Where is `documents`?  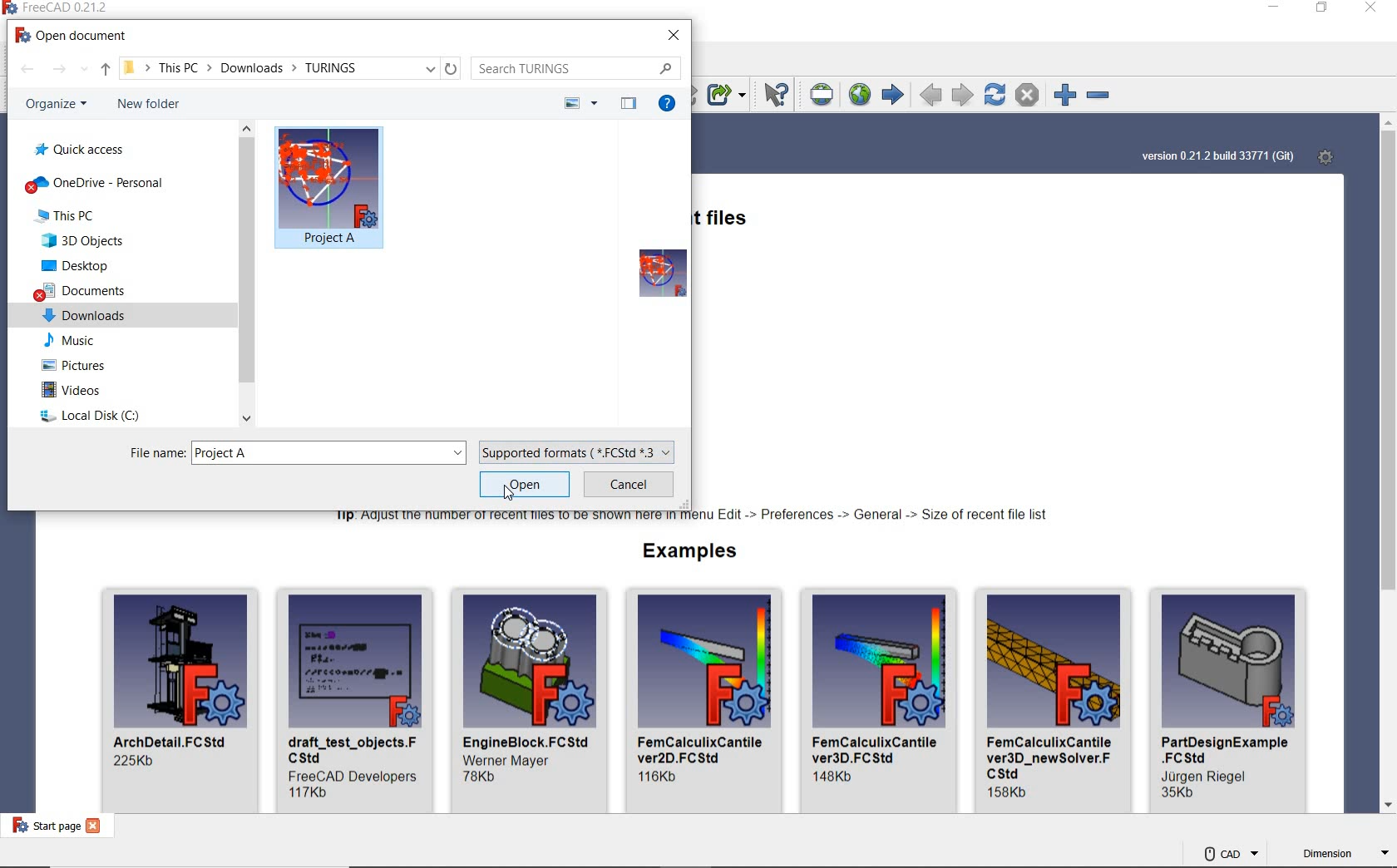
documents is located at coordinates (86, 289).